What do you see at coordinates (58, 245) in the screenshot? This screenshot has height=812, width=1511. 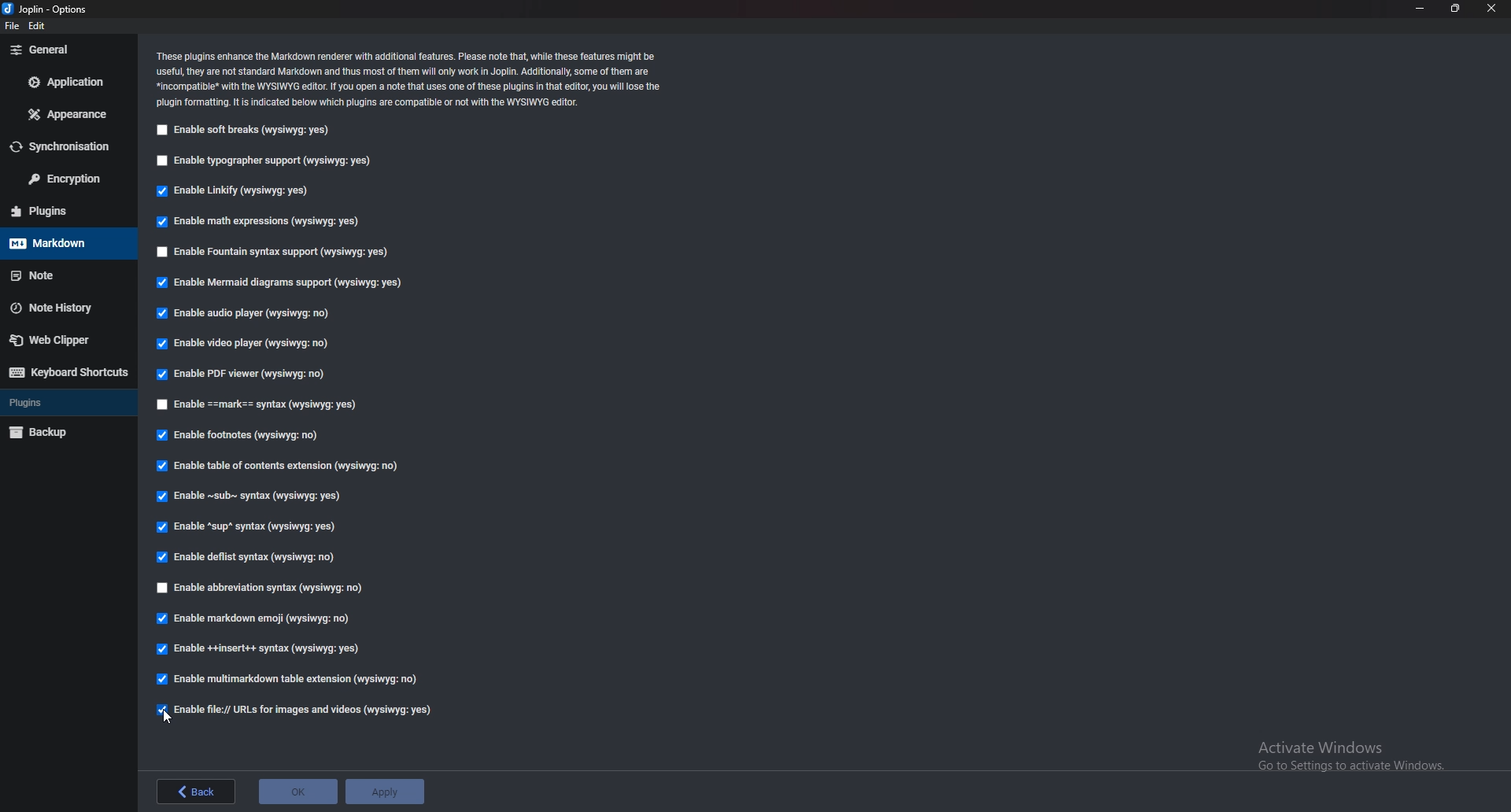 I see `Mark down` at bounding box center [58, 245].